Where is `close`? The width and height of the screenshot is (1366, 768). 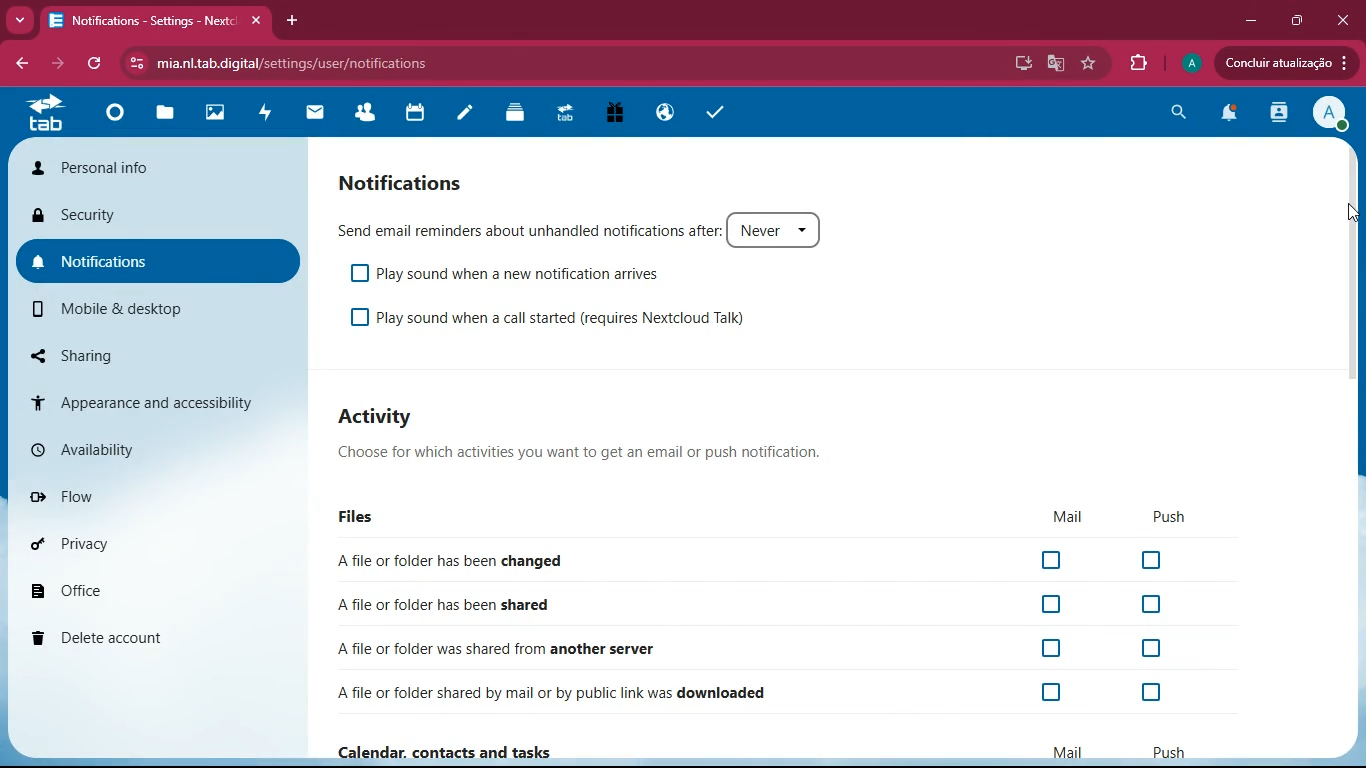 close is located at coordinates (1346, 20).